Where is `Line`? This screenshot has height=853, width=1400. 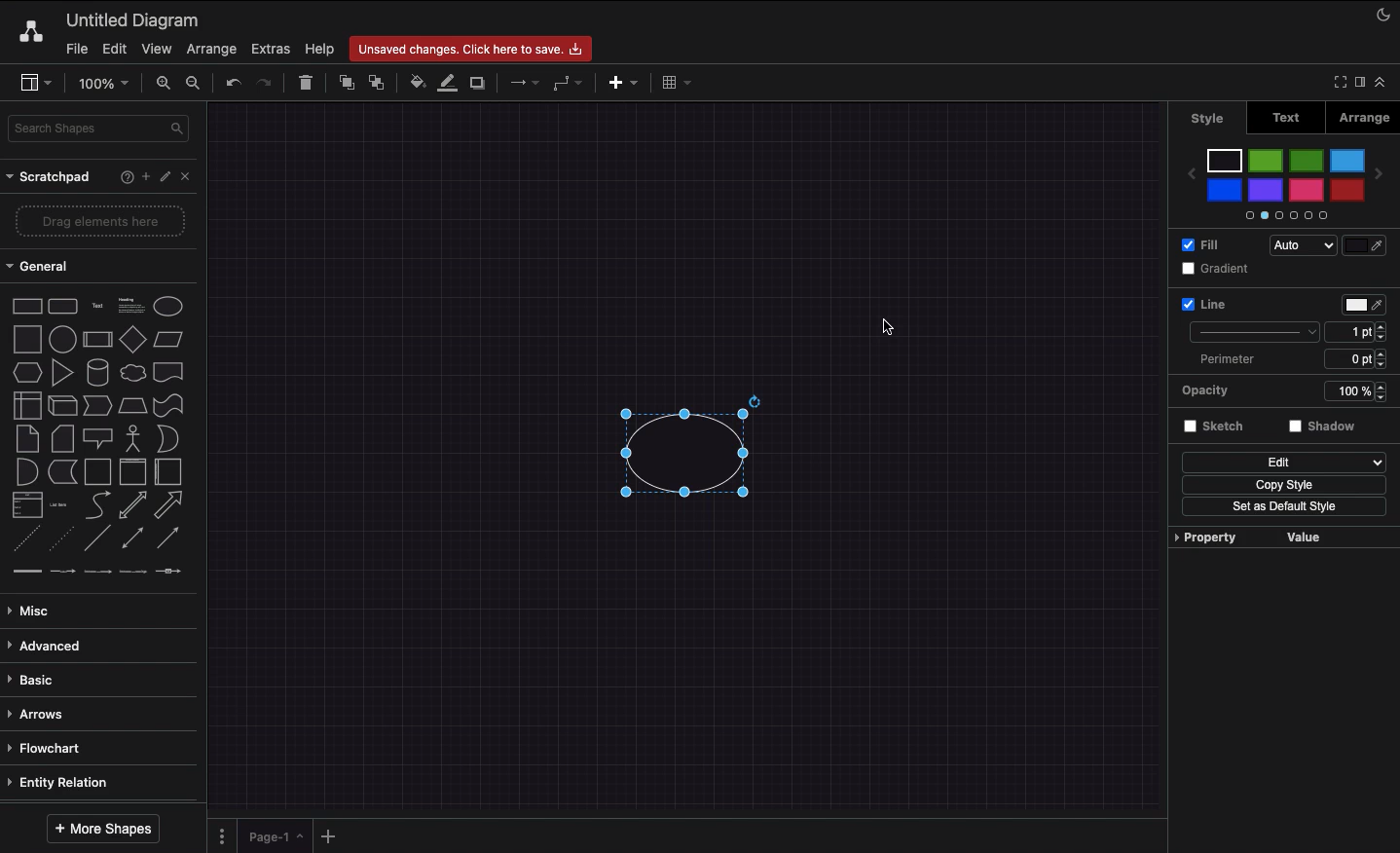 Line is located at coordinates (1207, 302).